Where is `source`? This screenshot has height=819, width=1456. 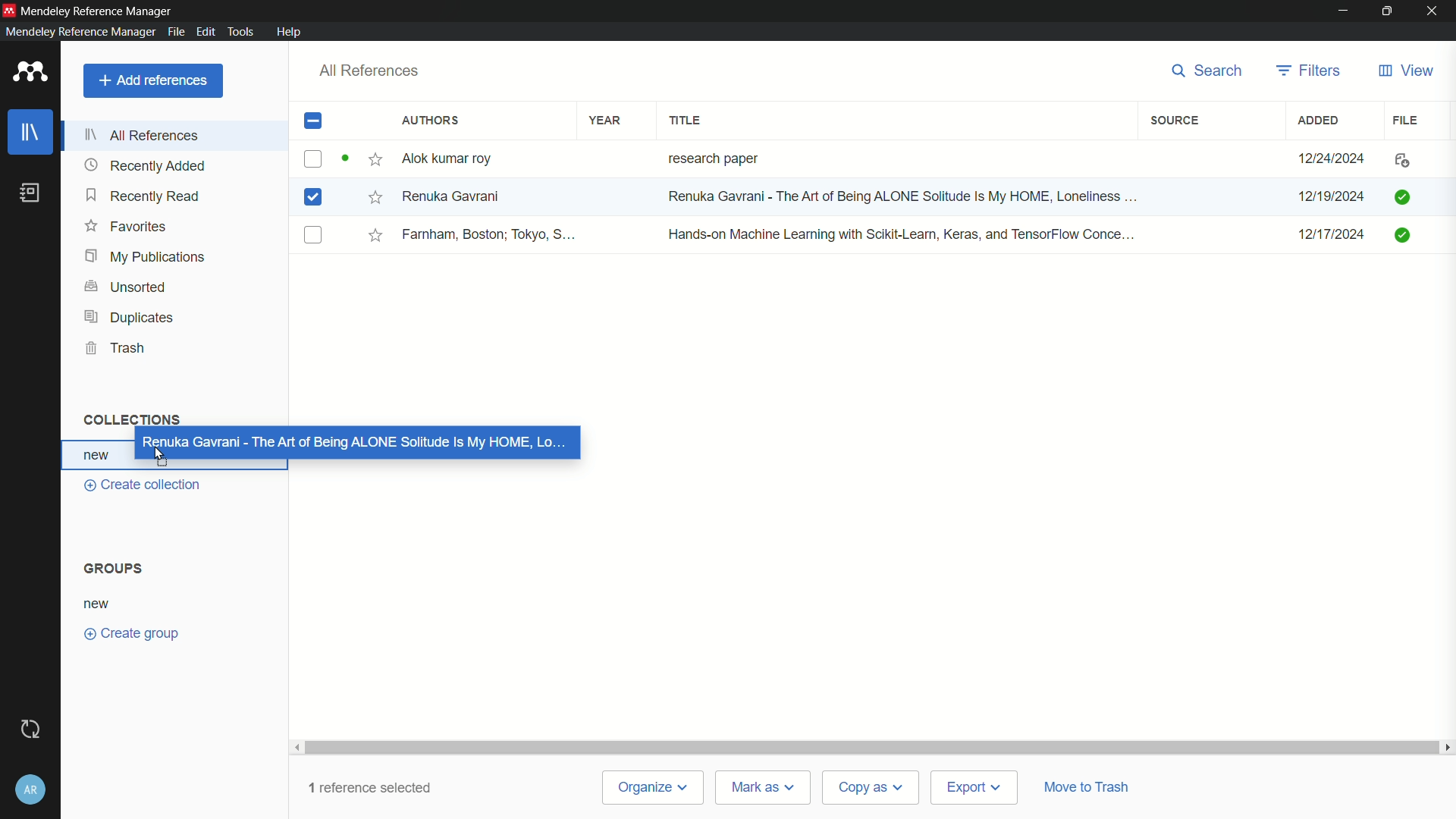 source is located at coordinates (1175, 121).